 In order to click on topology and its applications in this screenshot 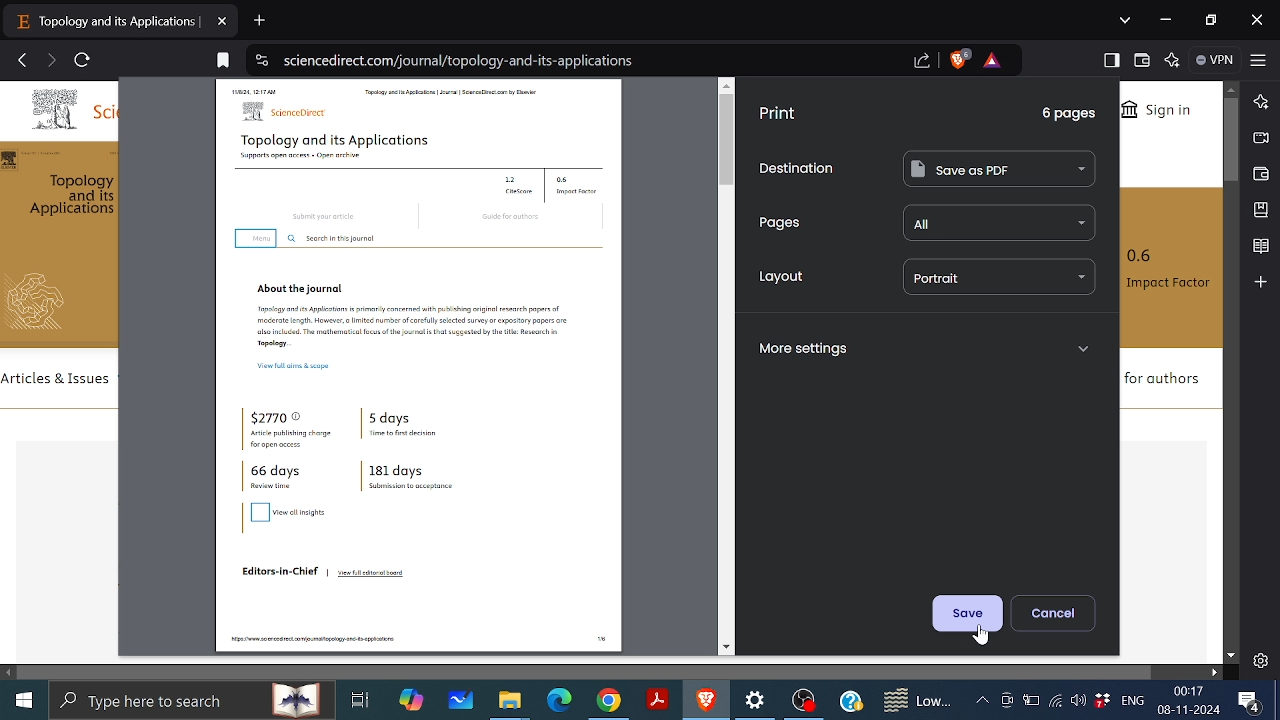, I will do `click(60, 243)`.